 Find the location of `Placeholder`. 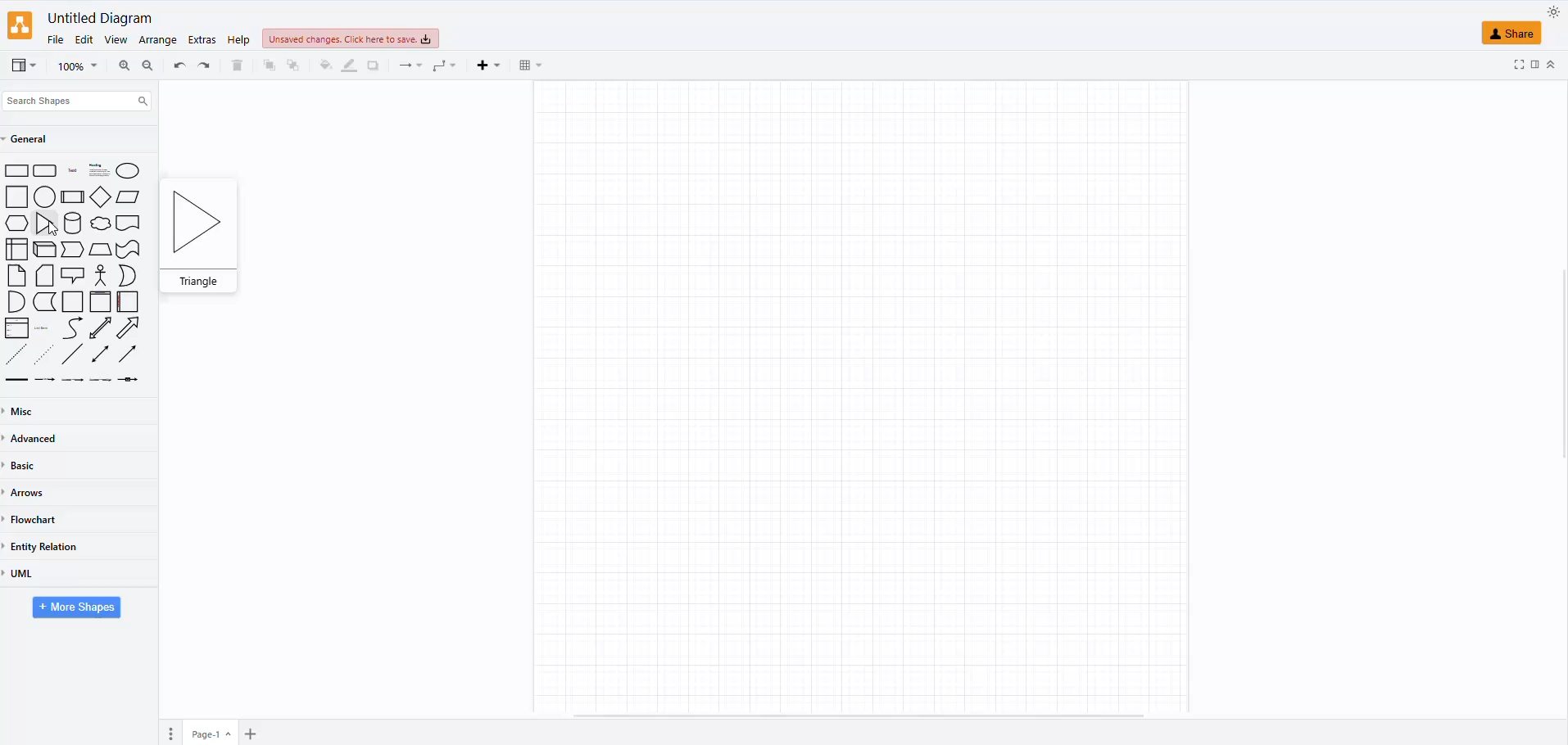

Placeholder is located at coordinates (43, 328).